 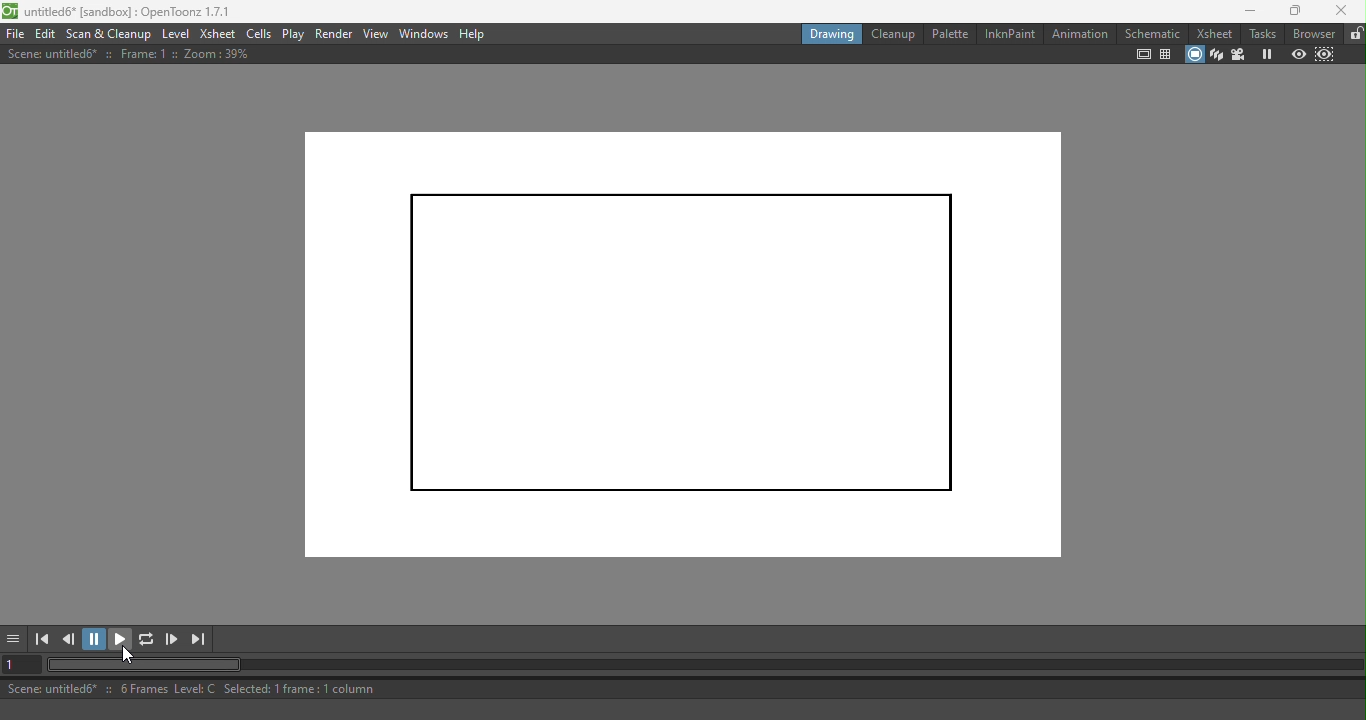 I want to click on Camera view, so click(x=1240, y=54).